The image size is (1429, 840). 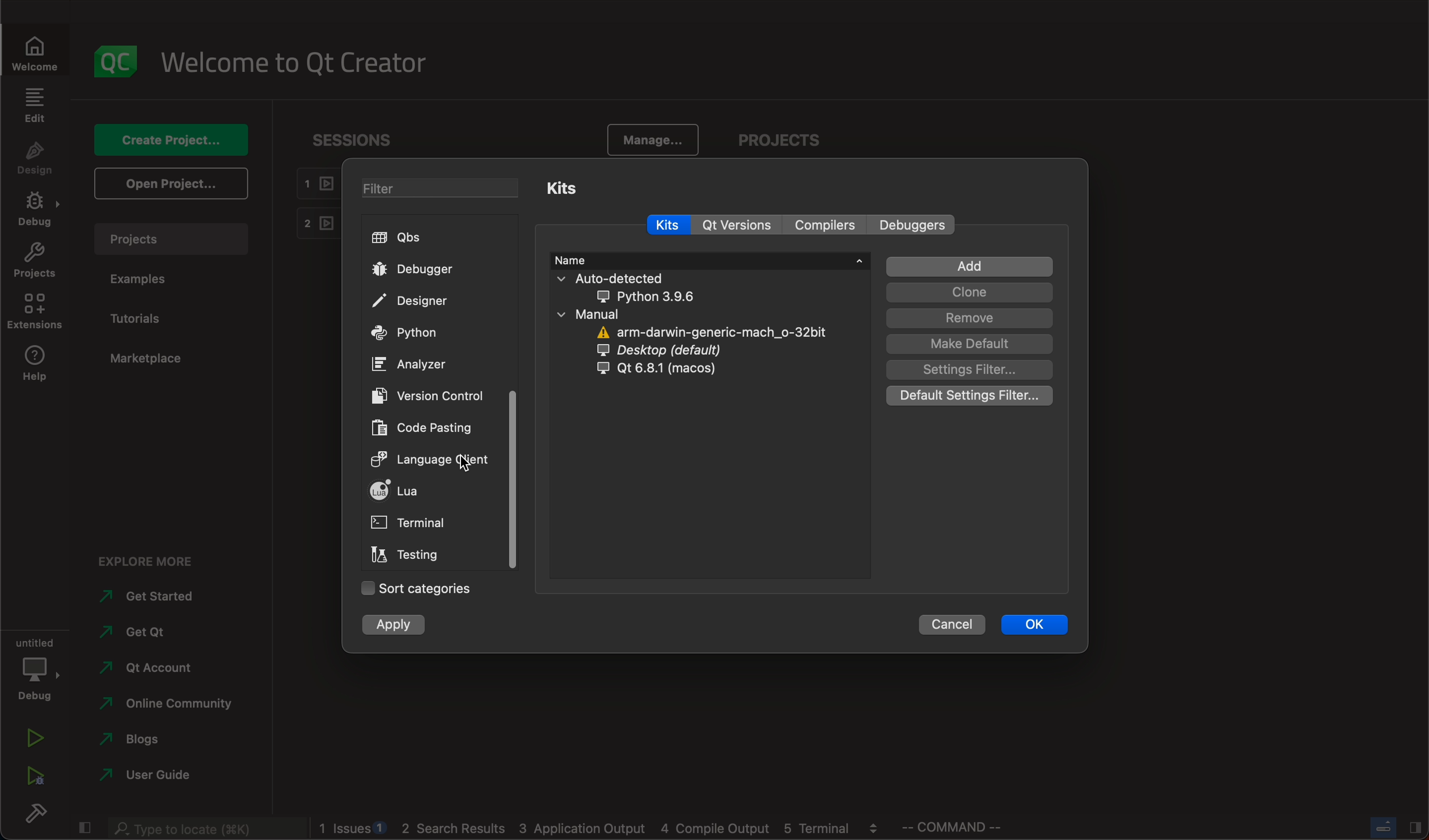 I want to click on manage, so click(x=653, y=139).